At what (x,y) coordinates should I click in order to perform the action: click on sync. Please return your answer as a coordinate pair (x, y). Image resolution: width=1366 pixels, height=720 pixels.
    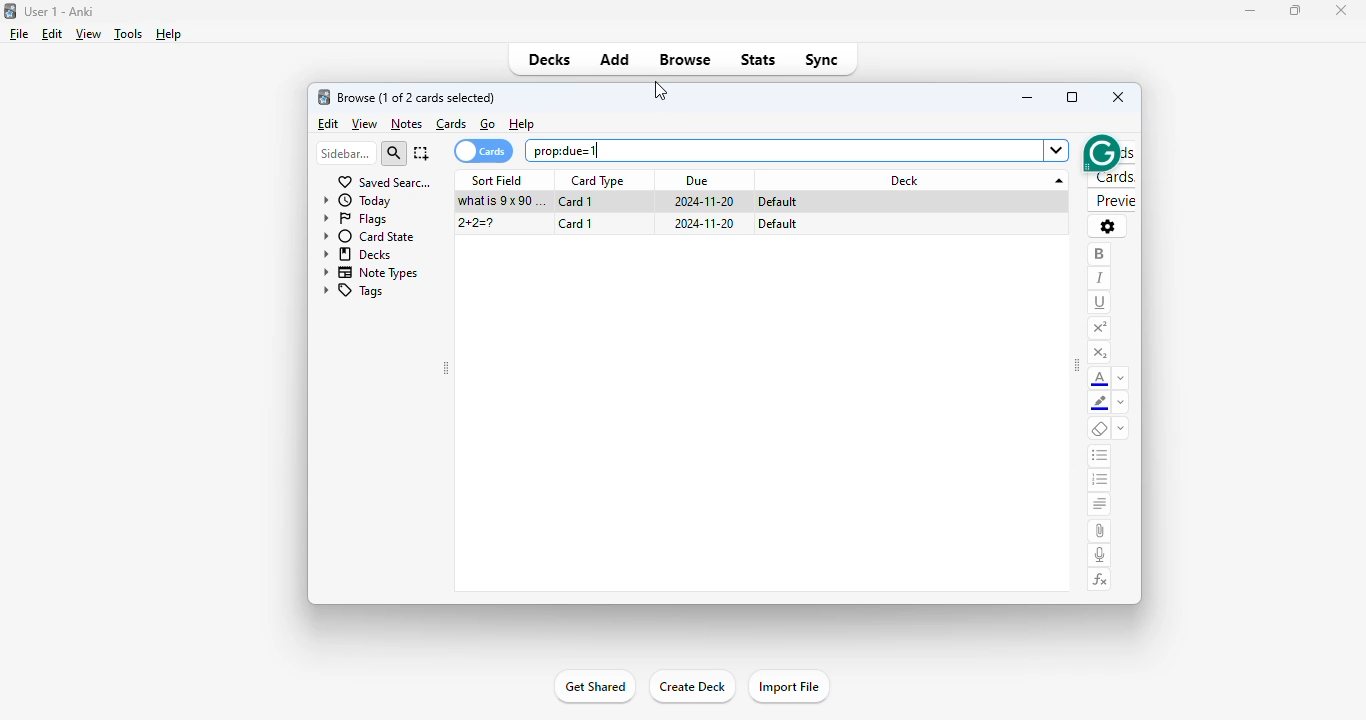
    Looking at the image, I should click on (824, 61).